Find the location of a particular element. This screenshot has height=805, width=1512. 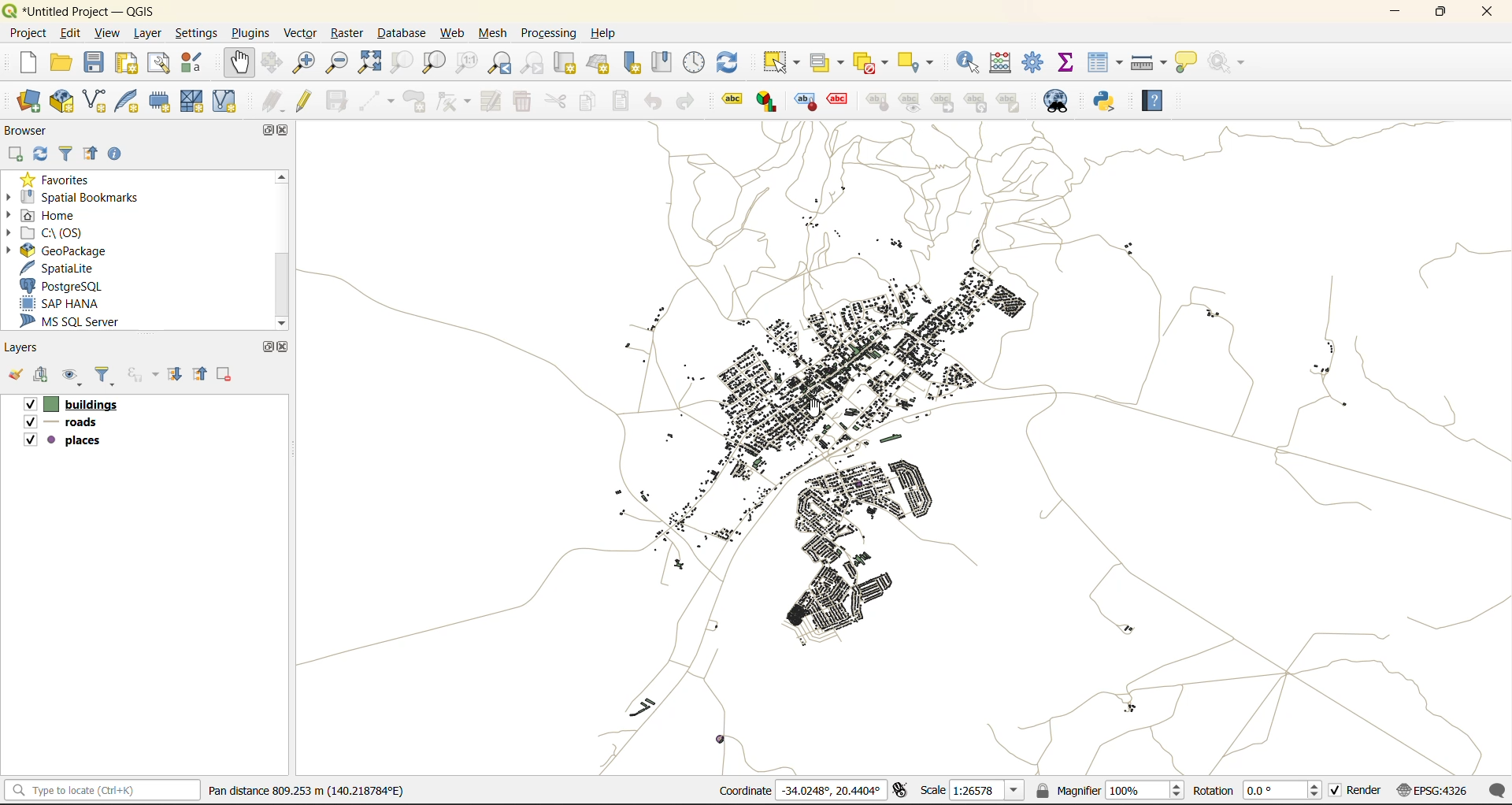

rotation is located at coordinates (1255, 791).